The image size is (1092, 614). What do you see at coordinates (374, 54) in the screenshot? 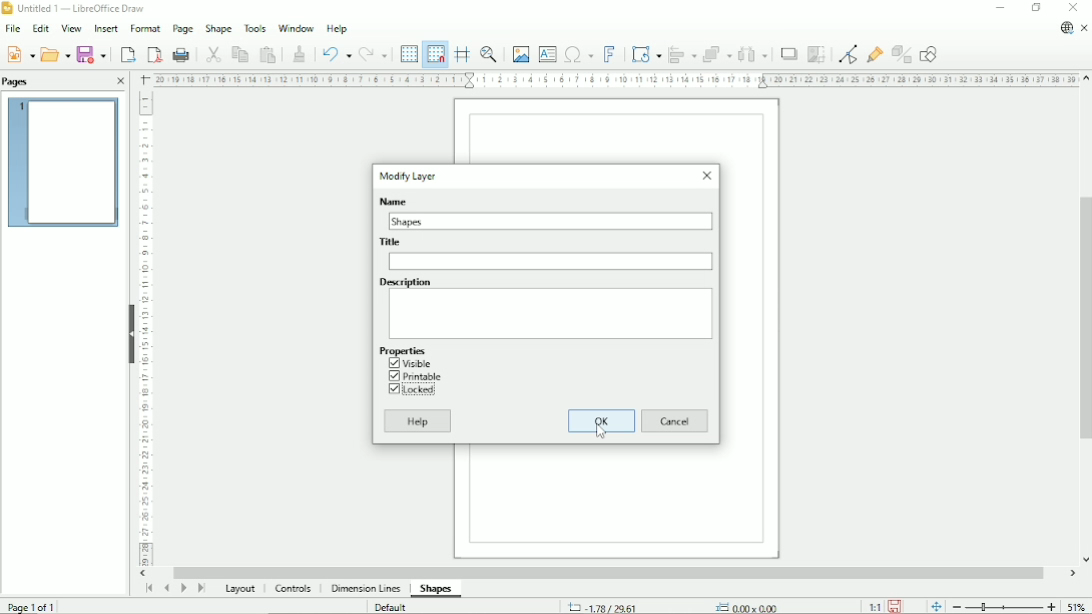
I see `Redo` at bounding box center [374, 54].